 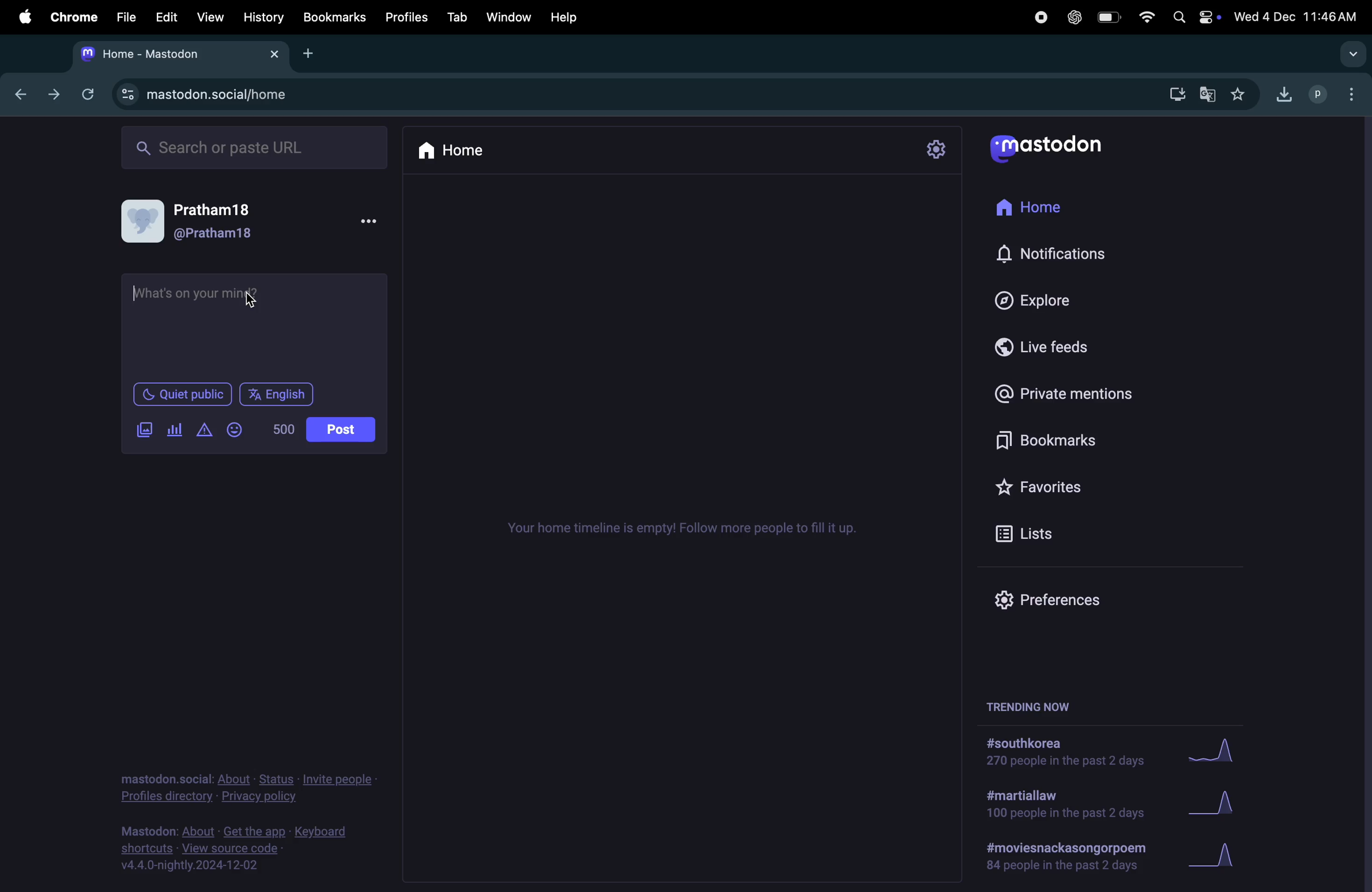 I want to click on Search Url, so click(x=257, y=148).